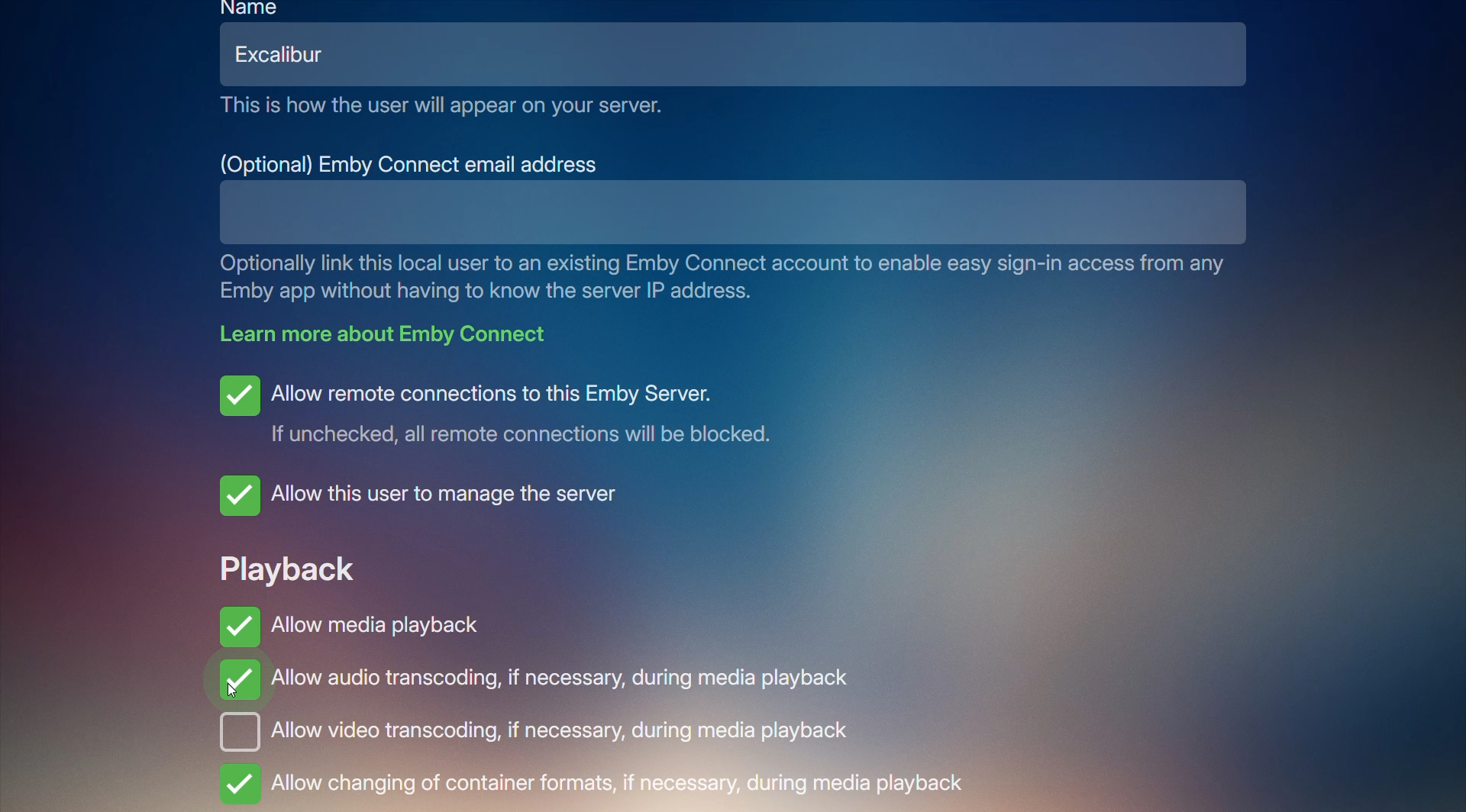 This screenshot has height=812, width=1466. Describe the element at coordinates (291, 54) in the screenshot. I see `Excalibur` at that location.